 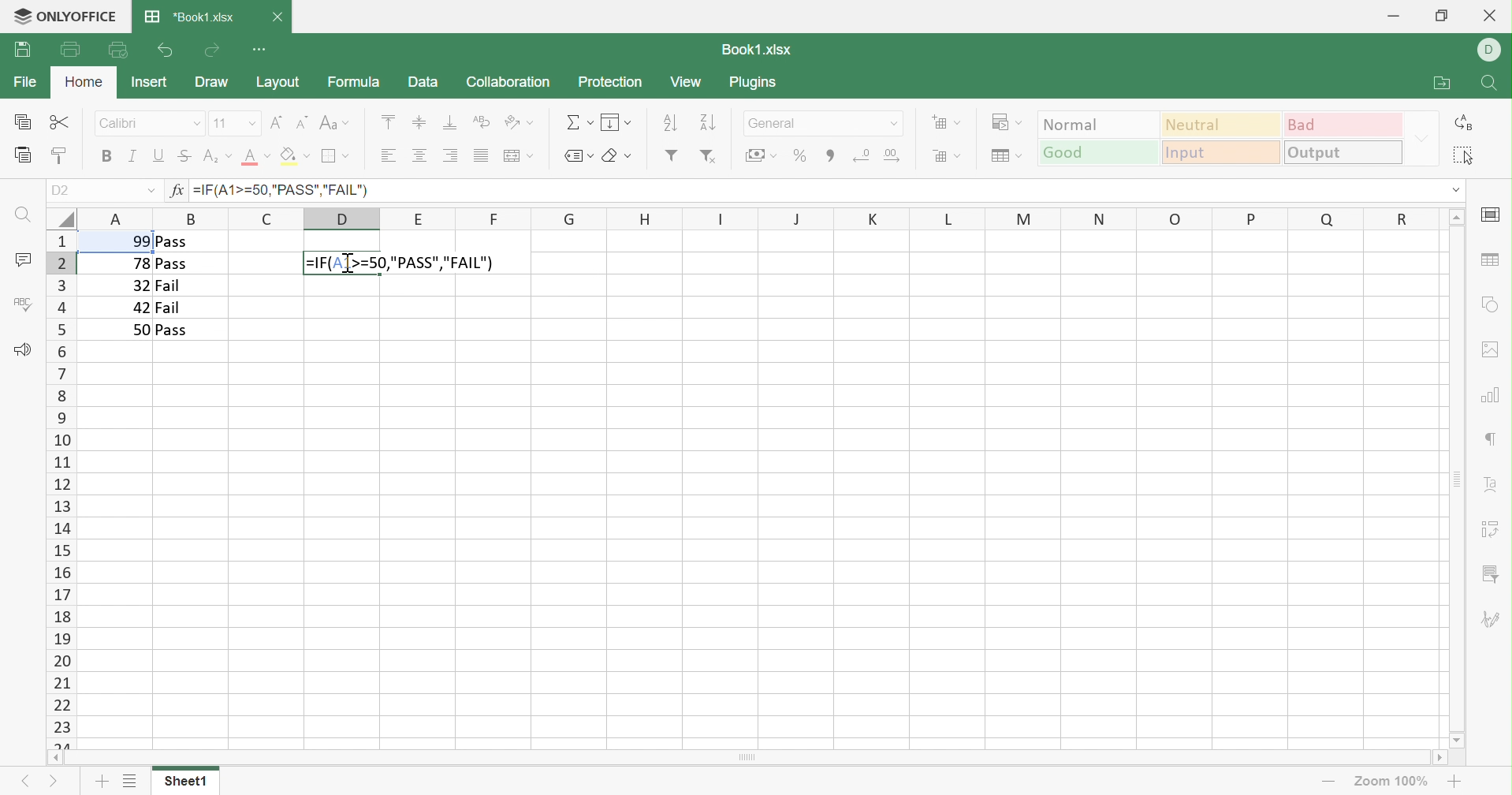 I want to click on Collaboration, so click(x=507, y=84).